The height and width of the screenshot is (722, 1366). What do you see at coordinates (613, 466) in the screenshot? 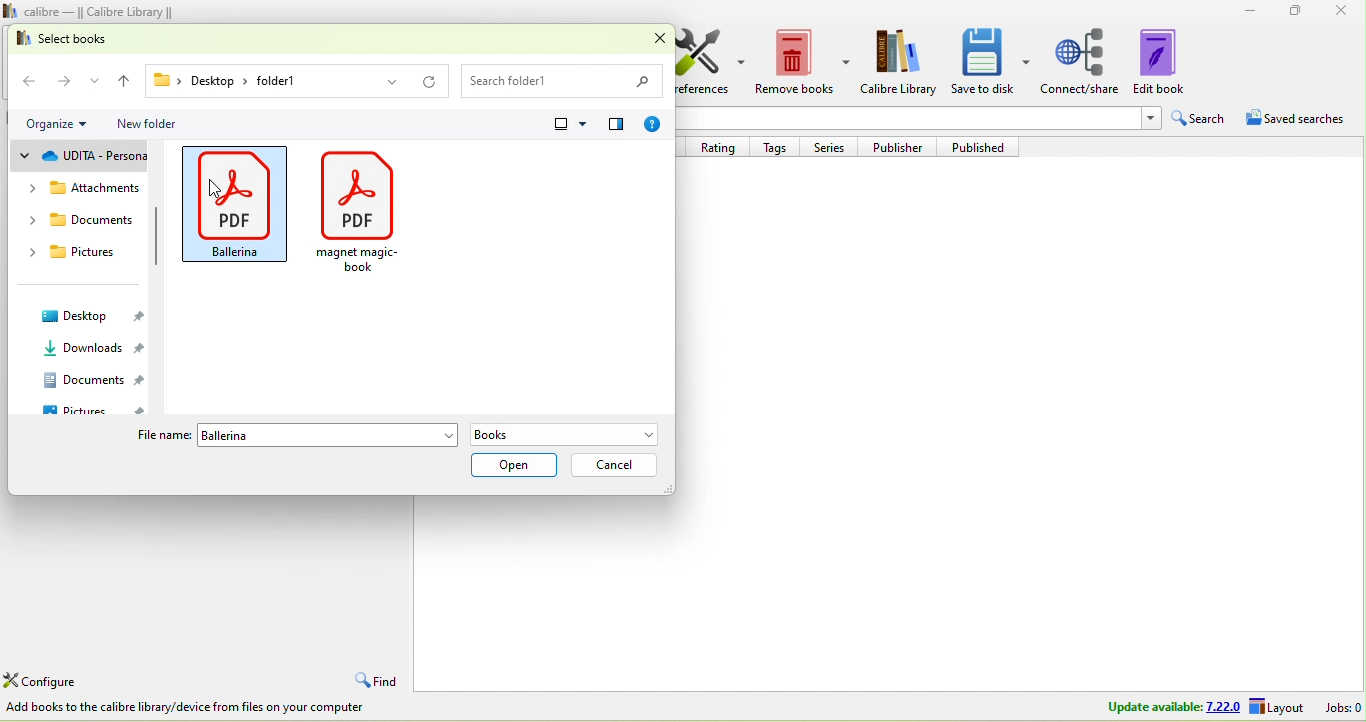
I see `cancel` at bounding box center [613, 466].